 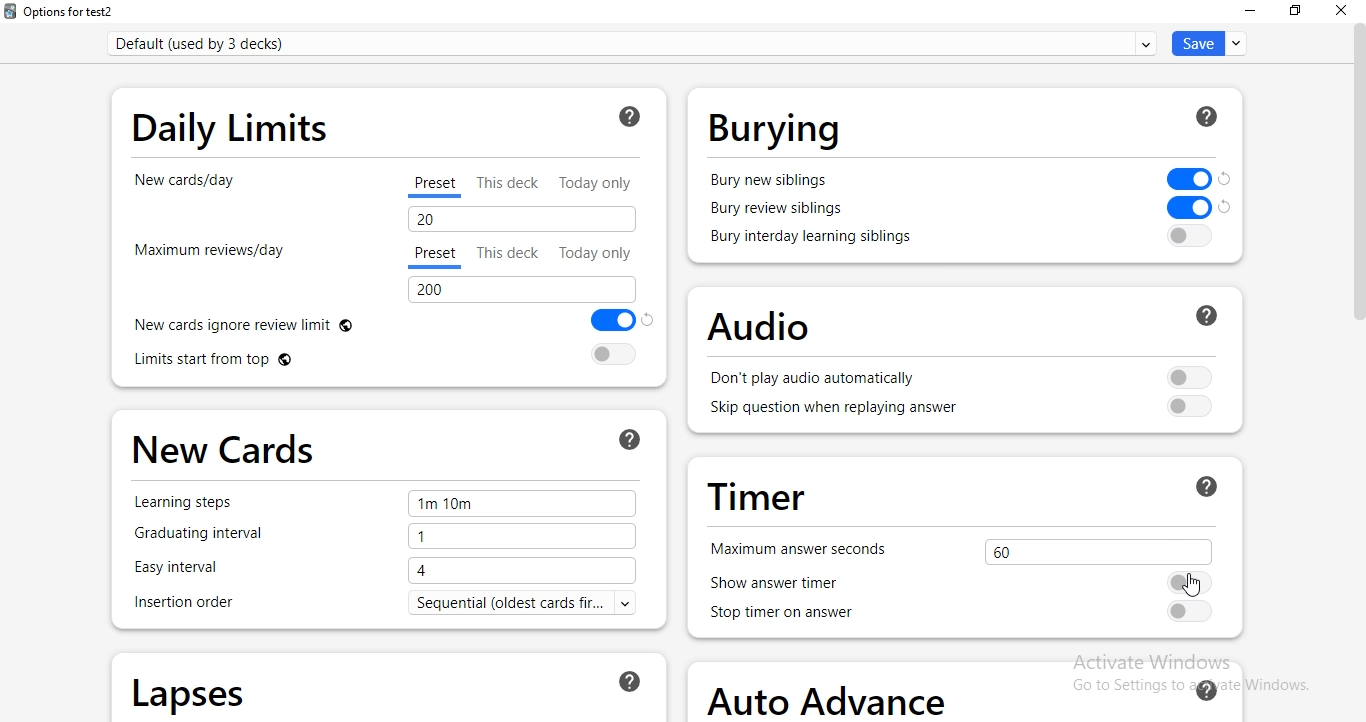 What do you see at coordinates (965, 410) in the screenshot?
I see `skip question when replaying answer` at bounding box center [965, 410].